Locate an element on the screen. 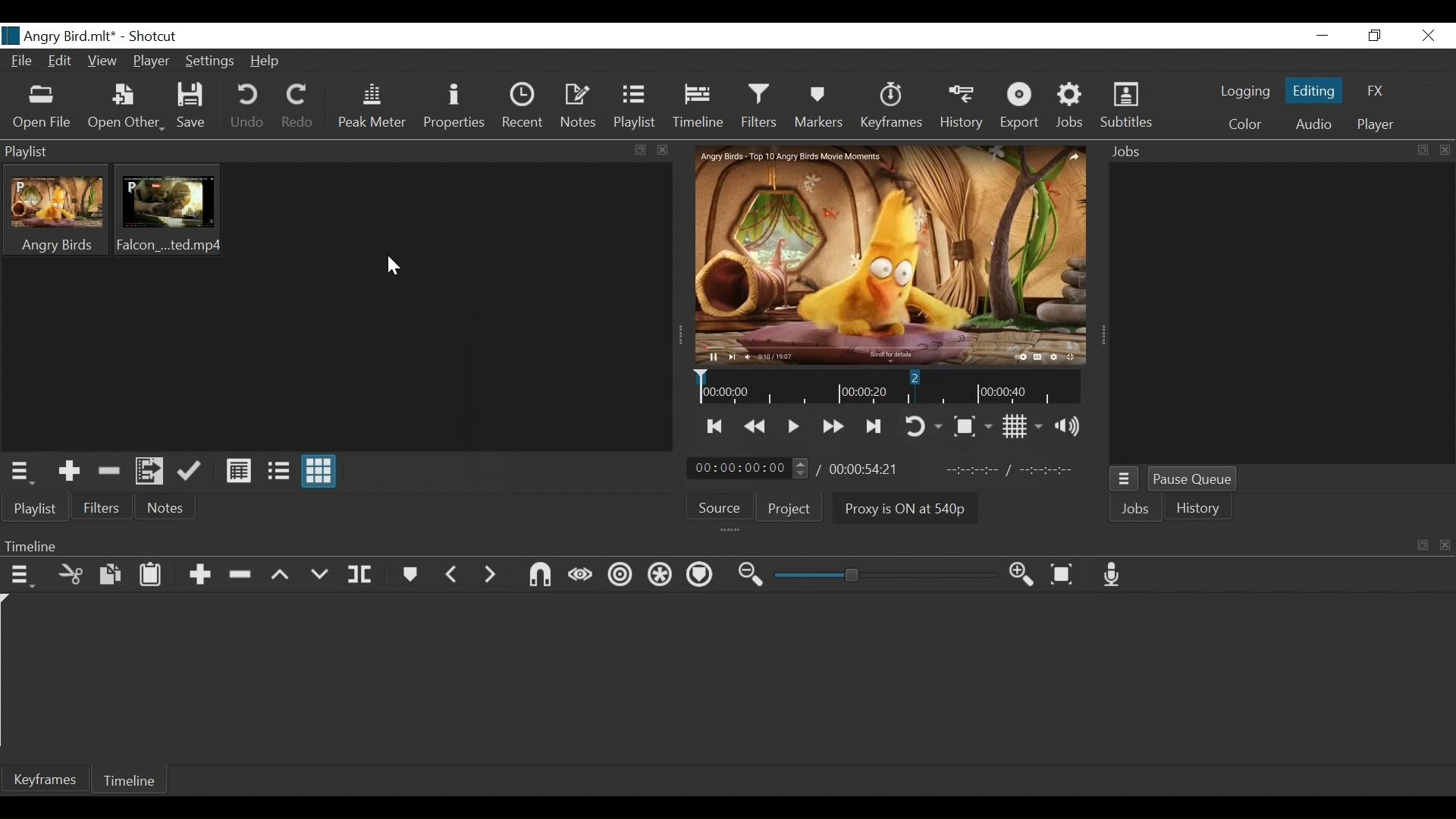  FX is located at coordinates (1373, 89).